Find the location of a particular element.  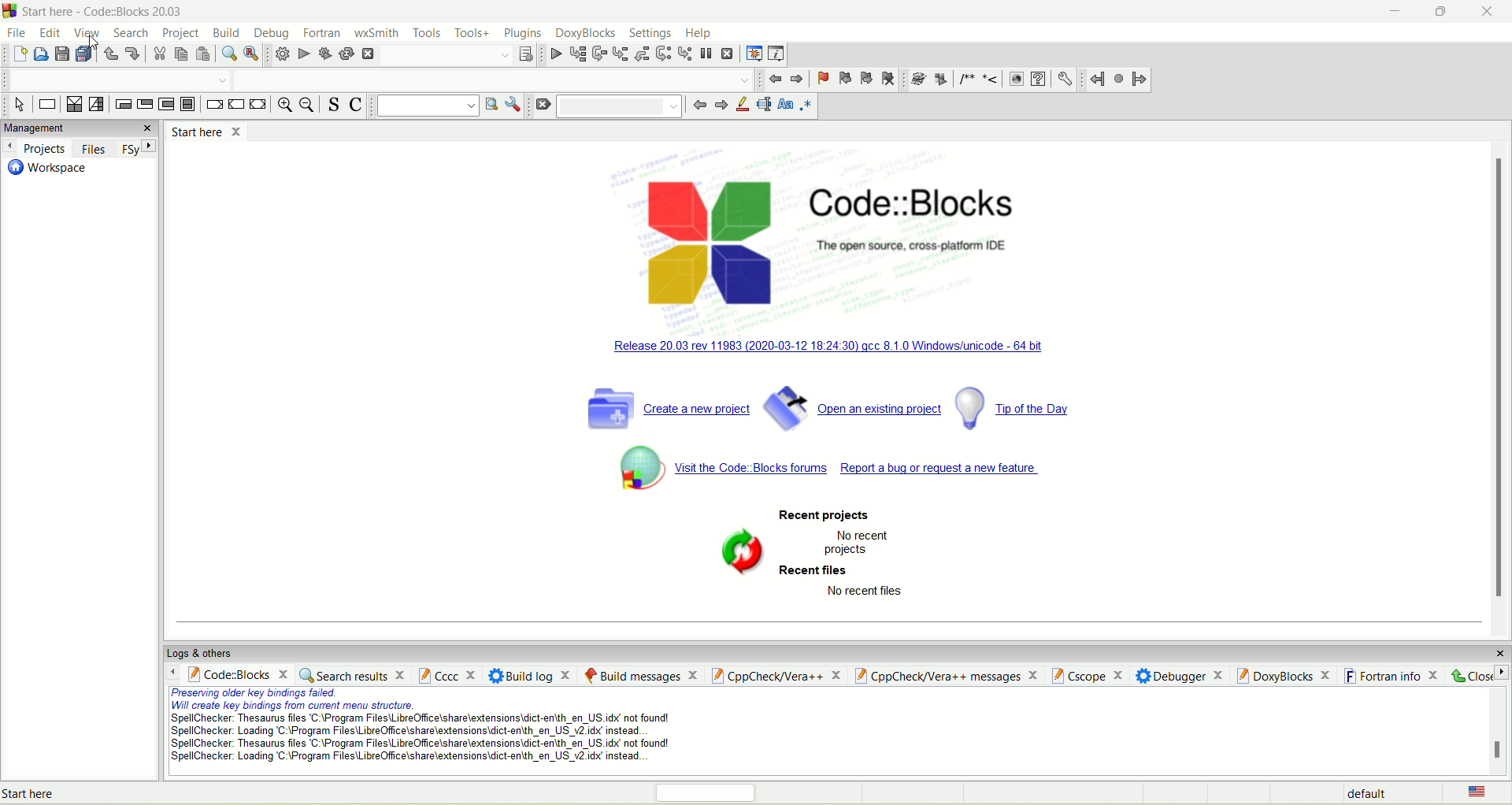

toggle search is located at coordinates (337, 106).